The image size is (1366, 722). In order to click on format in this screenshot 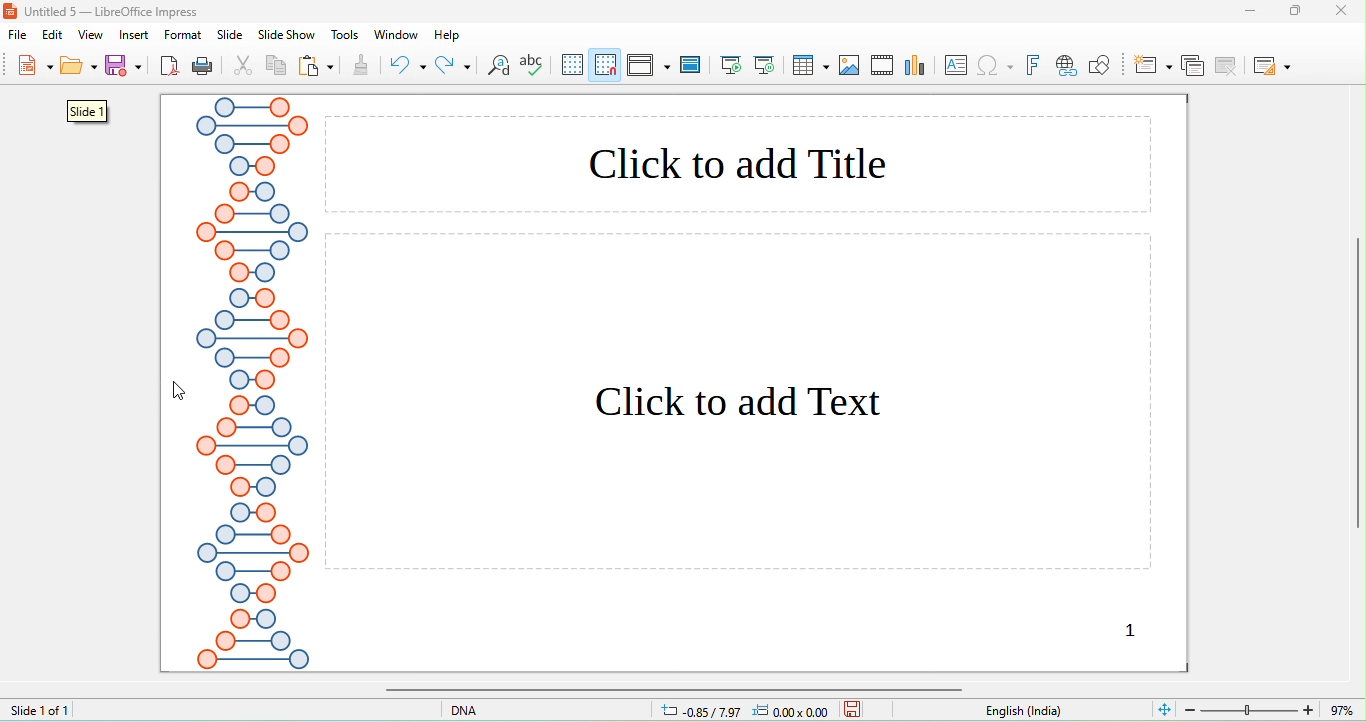, I will do `click(183, 35)`.